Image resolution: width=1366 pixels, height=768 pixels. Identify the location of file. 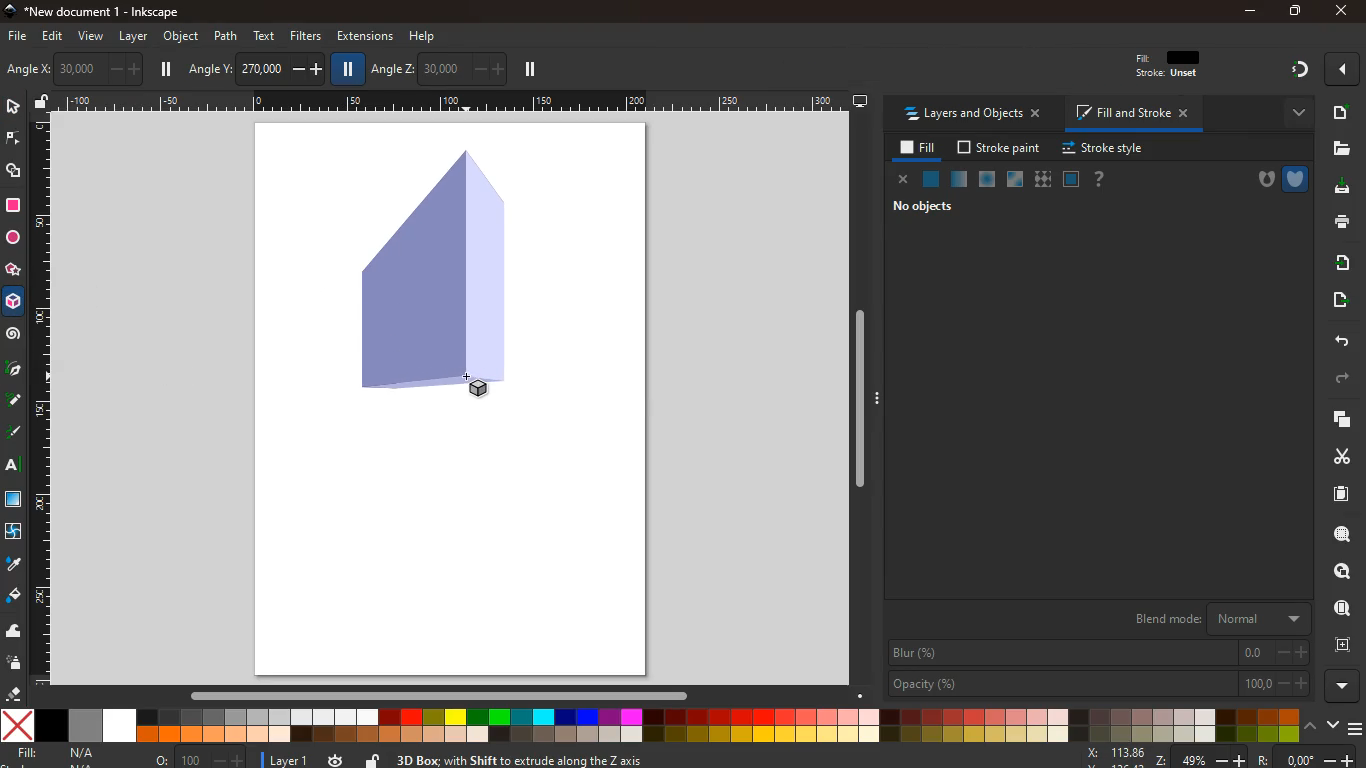
(1342, 148).